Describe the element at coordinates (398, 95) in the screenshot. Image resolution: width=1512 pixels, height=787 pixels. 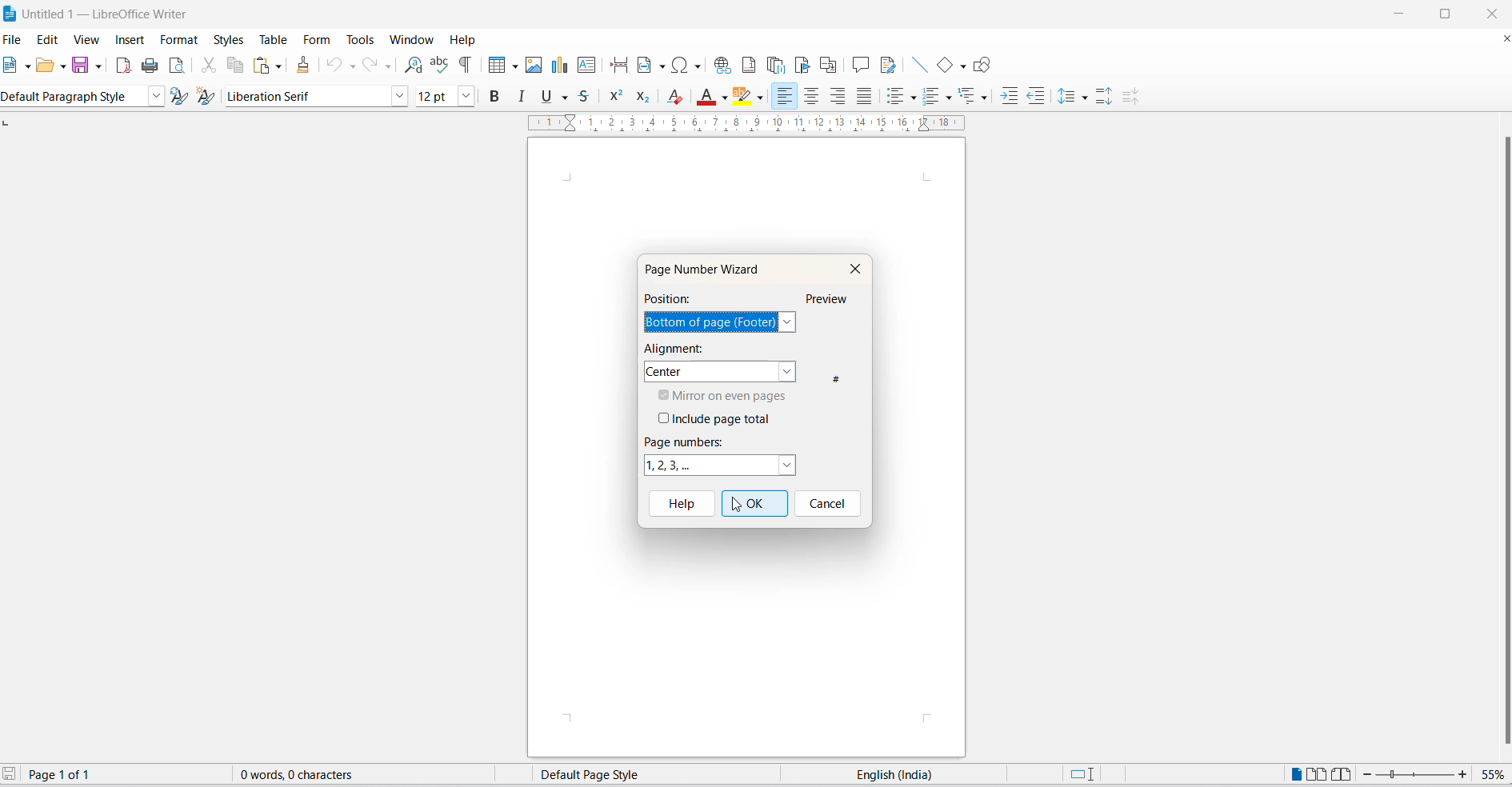
I see `font name options` at that location.